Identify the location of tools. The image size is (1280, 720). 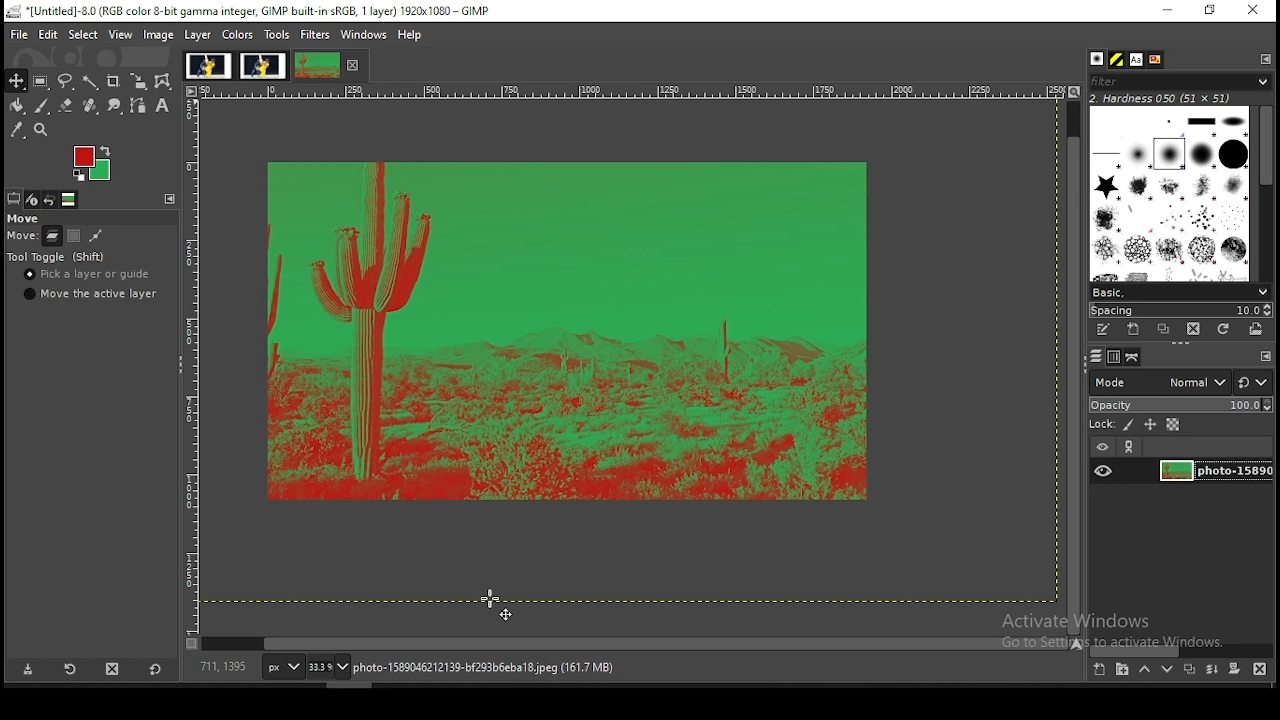
(279, 33).